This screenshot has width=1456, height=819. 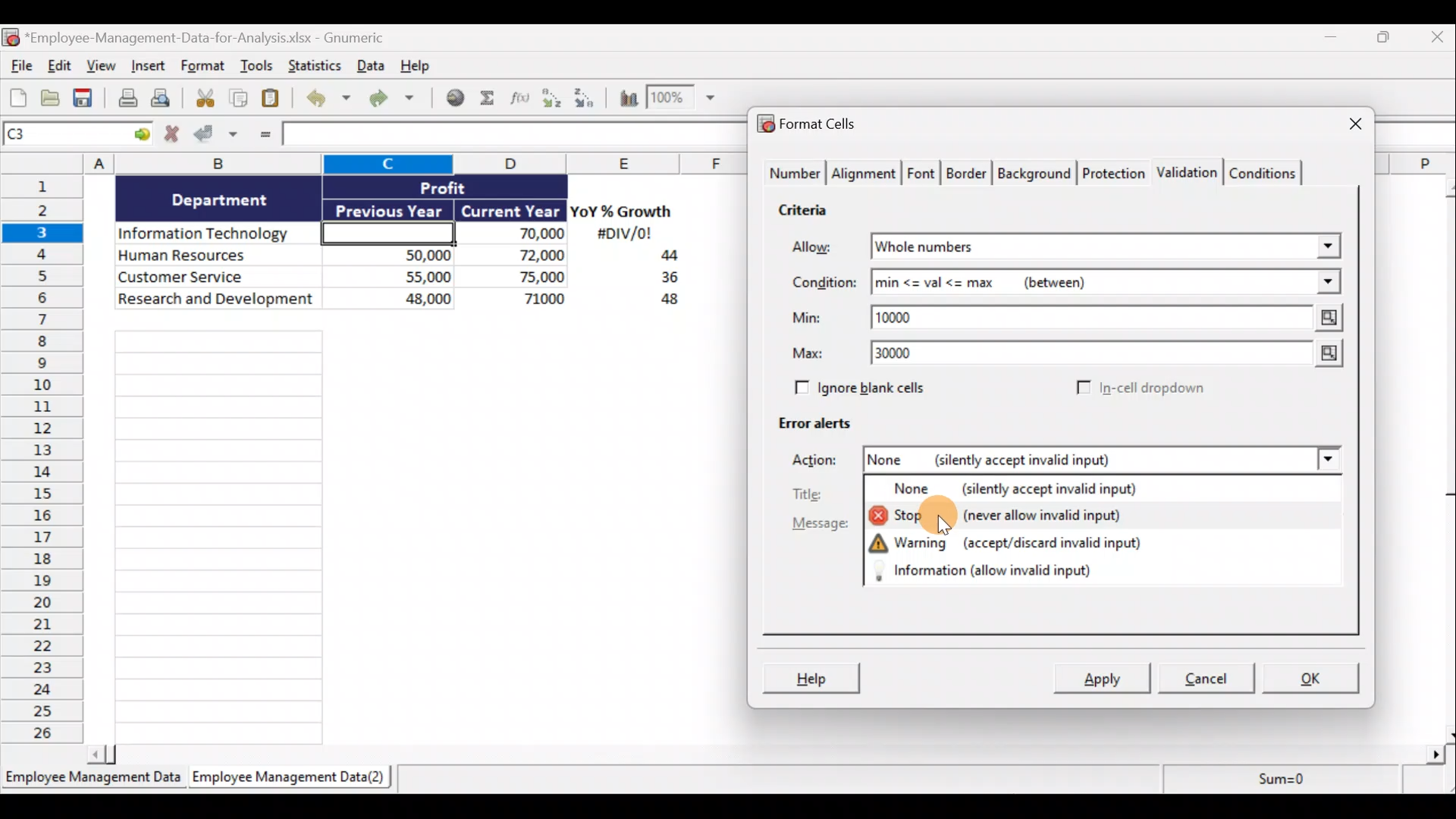 What do you see at coordinates (397, 254) in the screenshot?
I see `50,000` at bounding box center [397, 254].